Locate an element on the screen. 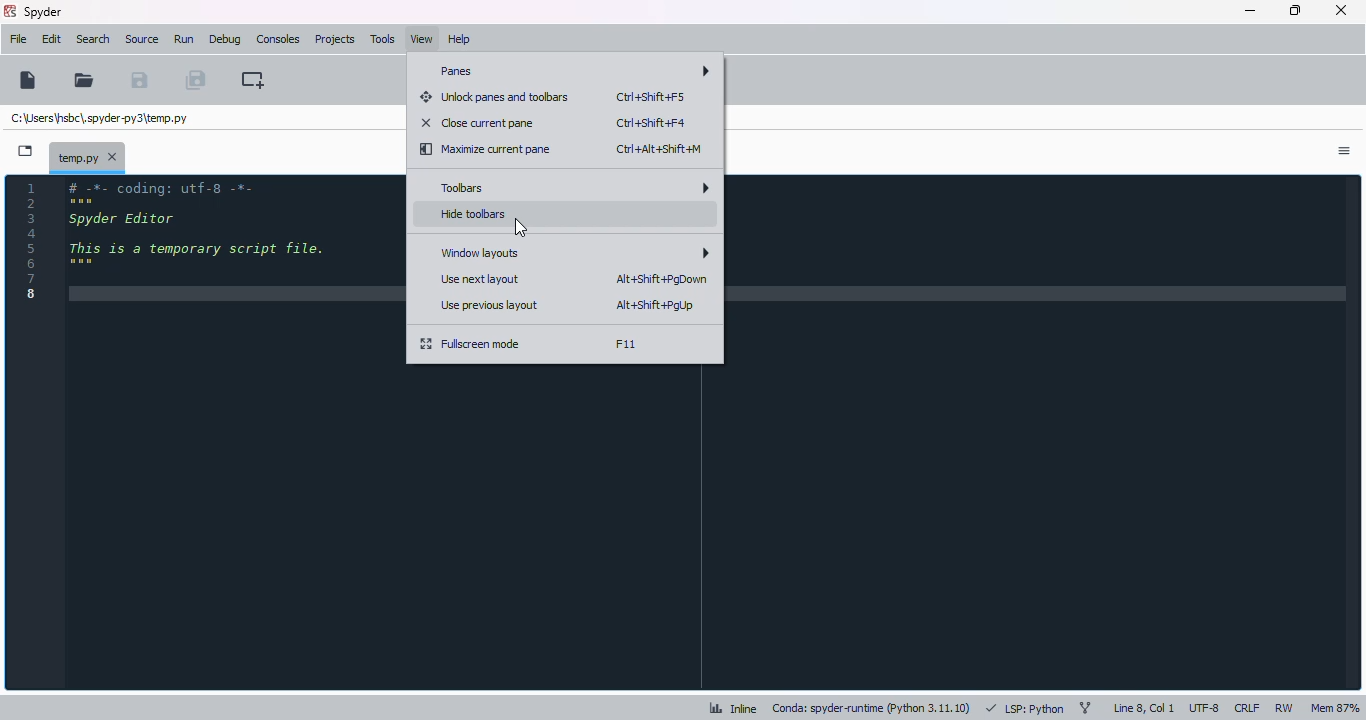 The image size is (1366, 720). tools is located at coordinates (381, 39).